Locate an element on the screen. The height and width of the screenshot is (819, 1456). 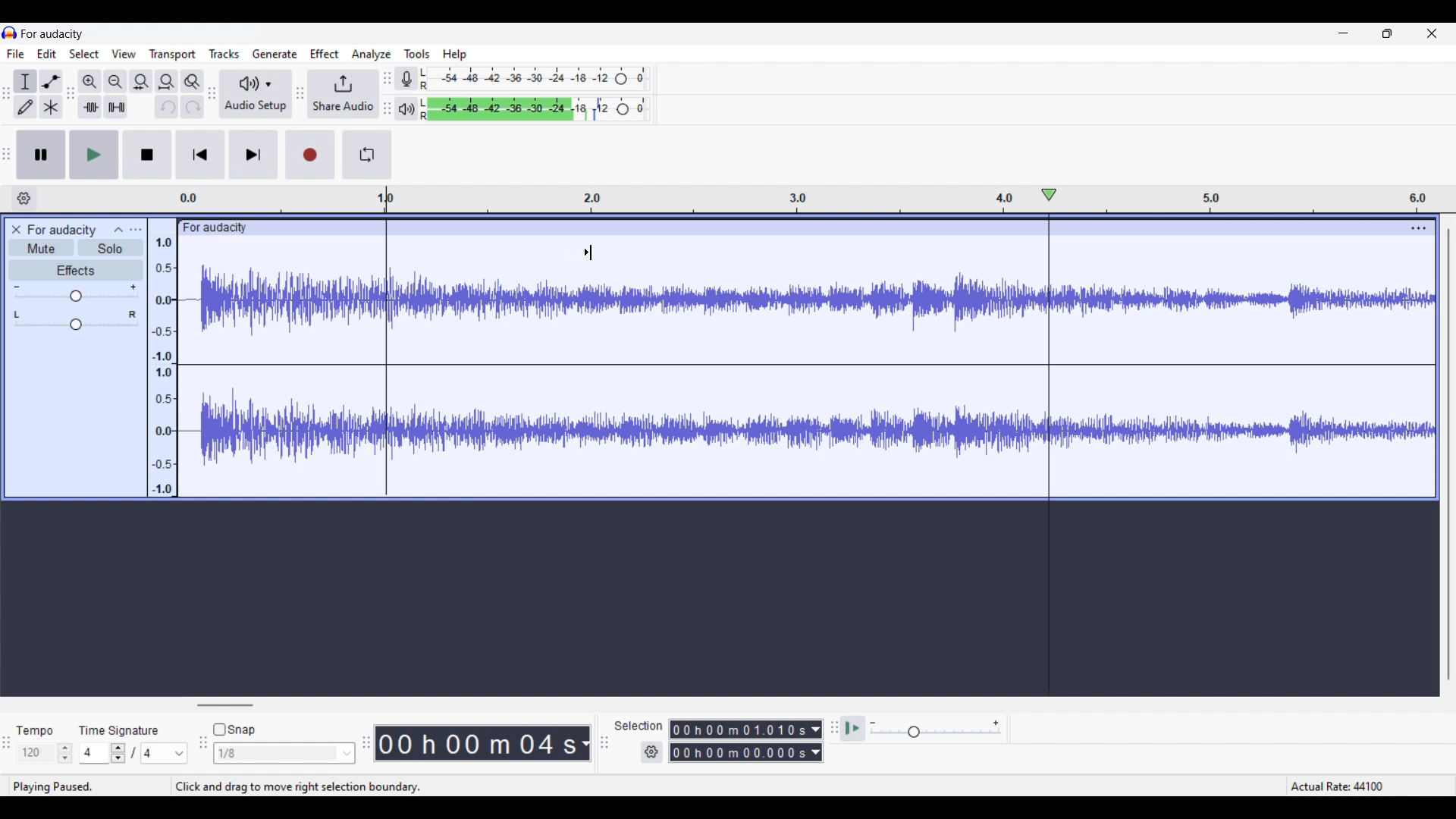
Skip/Select to end is located at coordinates (253, 155).